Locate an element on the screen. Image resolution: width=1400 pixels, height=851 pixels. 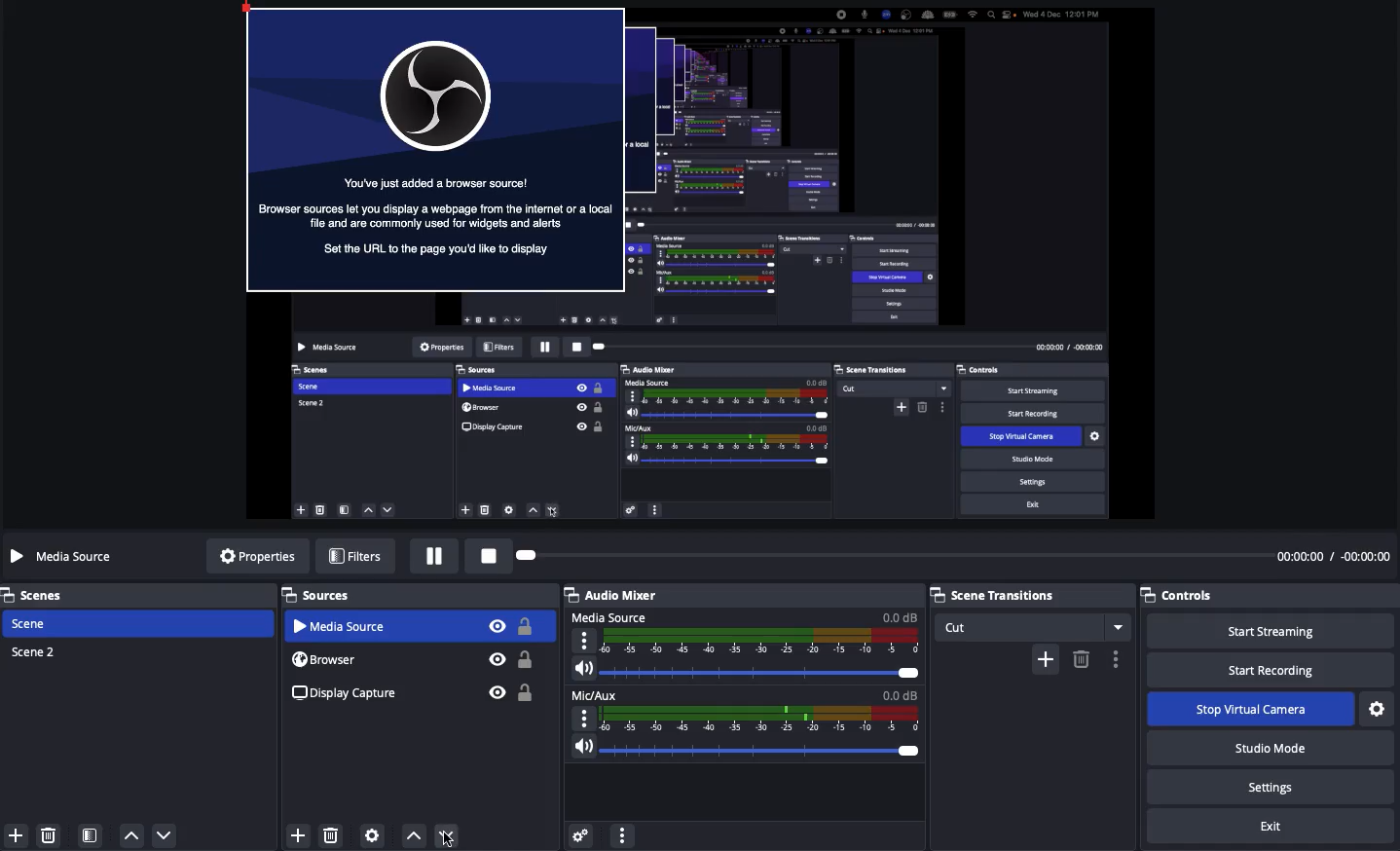
Studio mode is located at coordinates (1263, 746).